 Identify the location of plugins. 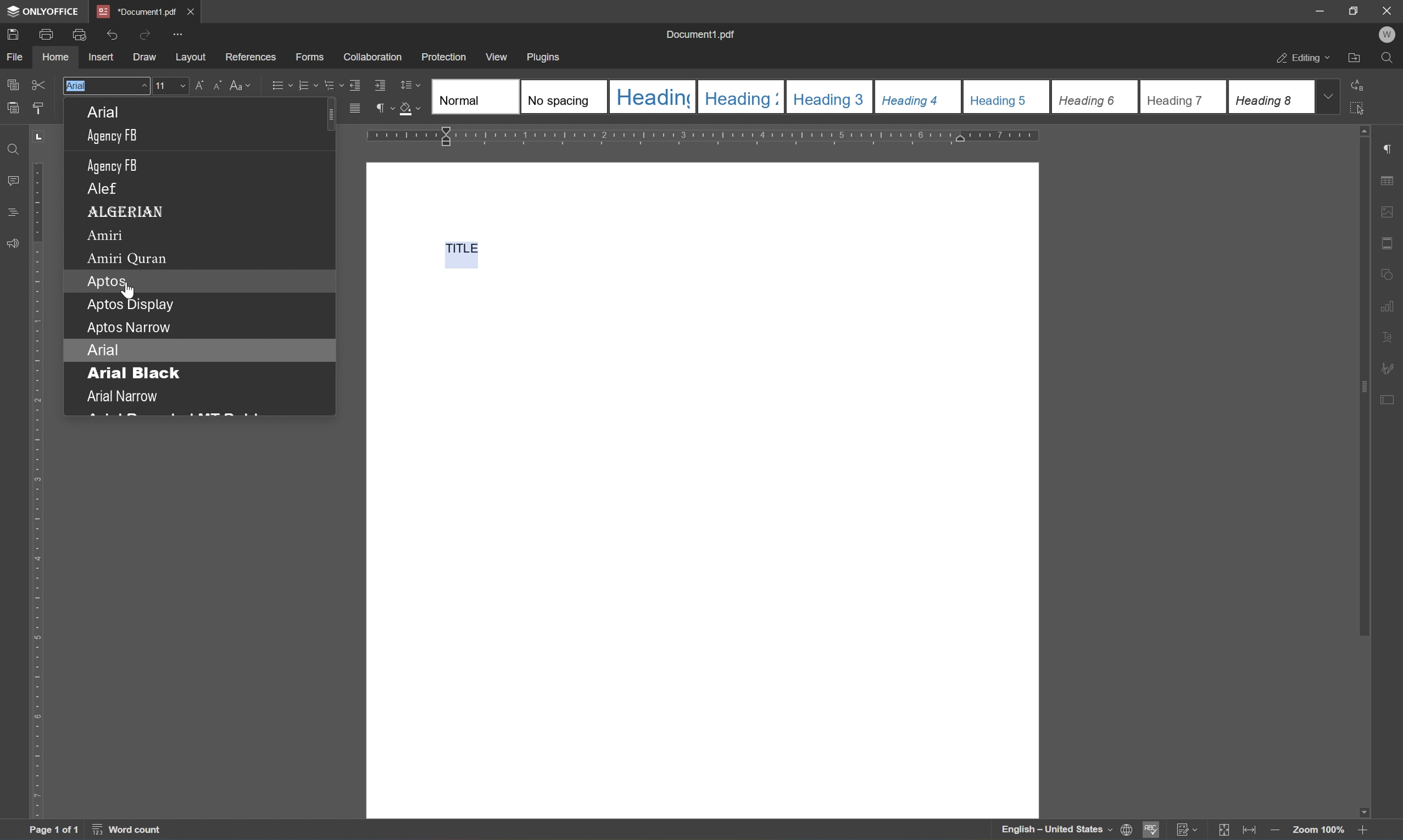
(544, 57).